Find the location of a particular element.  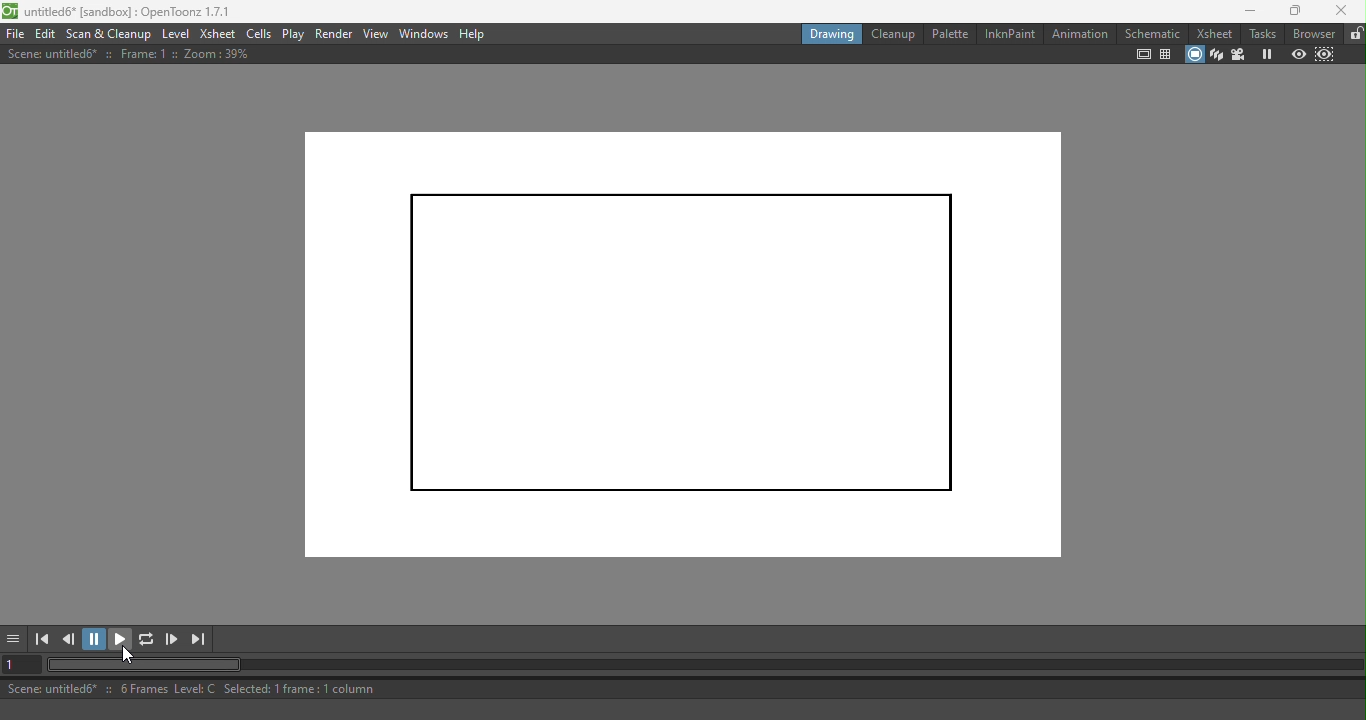

Pointer cursor is located at coordinates (130, 658).